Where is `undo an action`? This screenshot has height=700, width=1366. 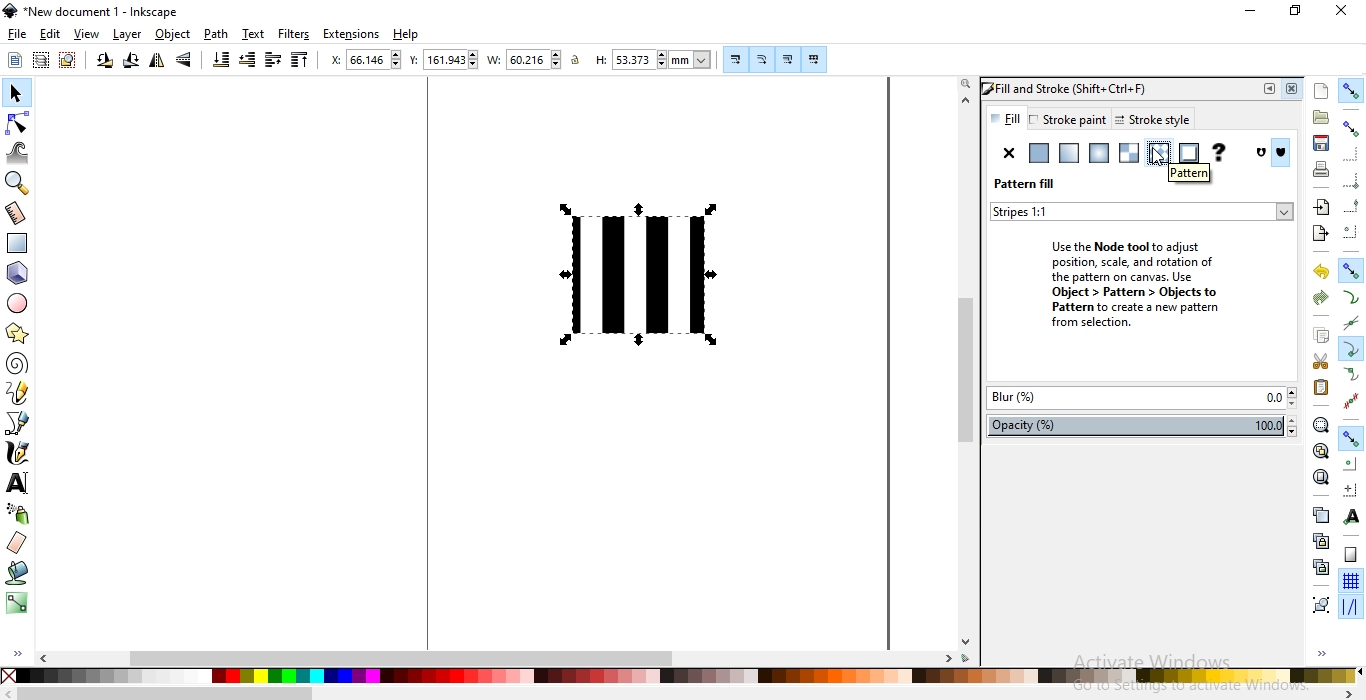 undo an action is located at coordinates (1322, 271).